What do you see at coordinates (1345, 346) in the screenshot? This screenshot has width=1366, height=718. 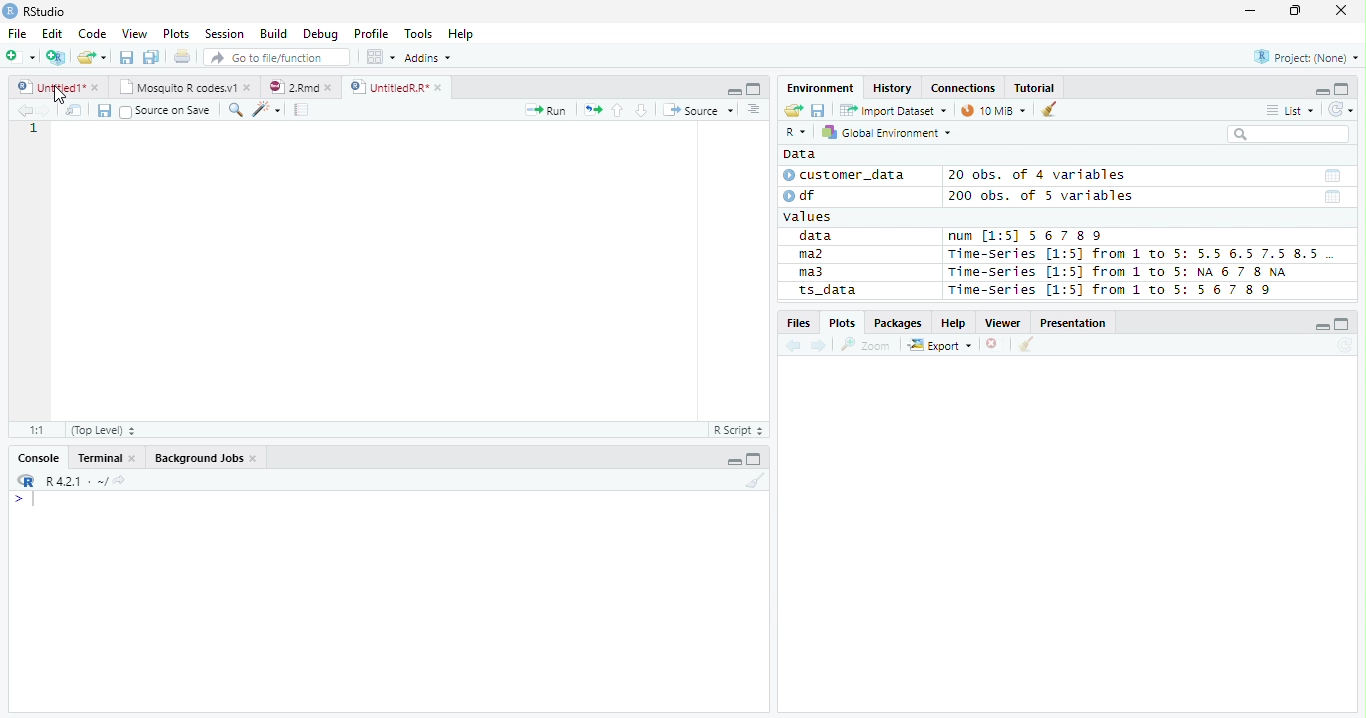 I see `Refresh` at bounding box center [1345, 346].